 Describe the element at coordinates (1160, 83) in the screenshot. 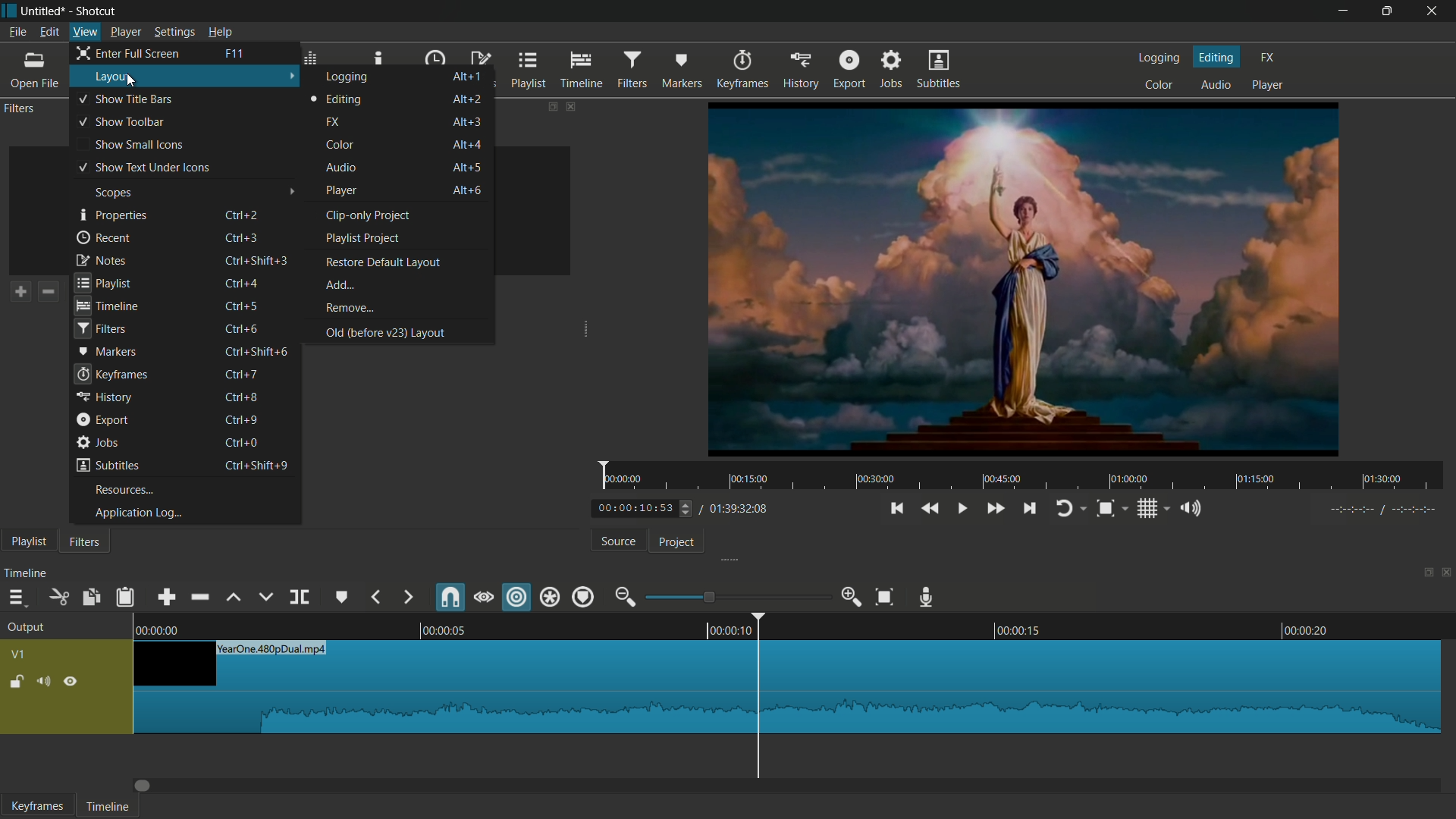

I see `color` at that location.